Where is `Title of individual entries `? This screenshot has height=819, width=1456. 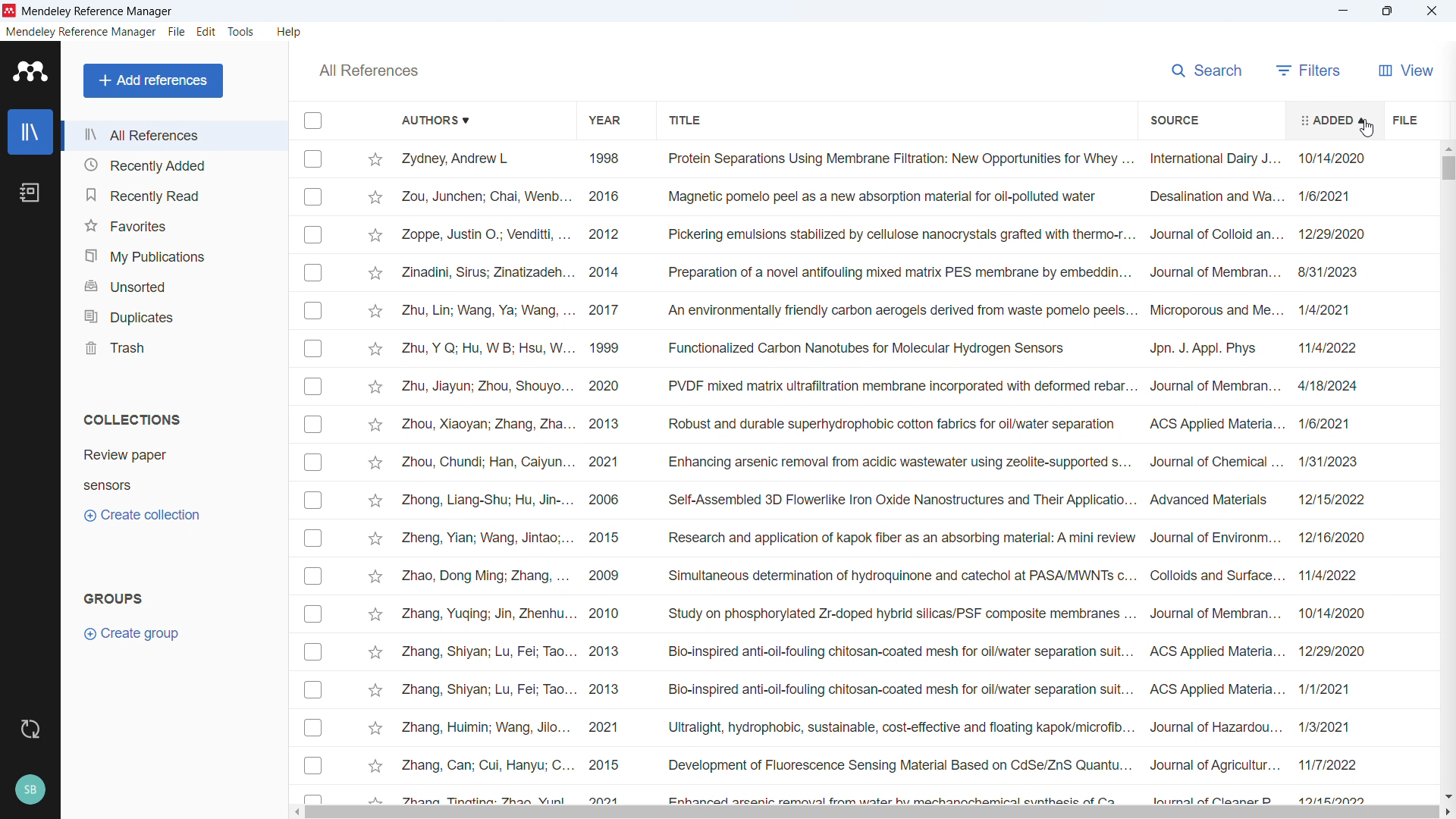
Title of individual entries  is located at coordinates (898, 475).